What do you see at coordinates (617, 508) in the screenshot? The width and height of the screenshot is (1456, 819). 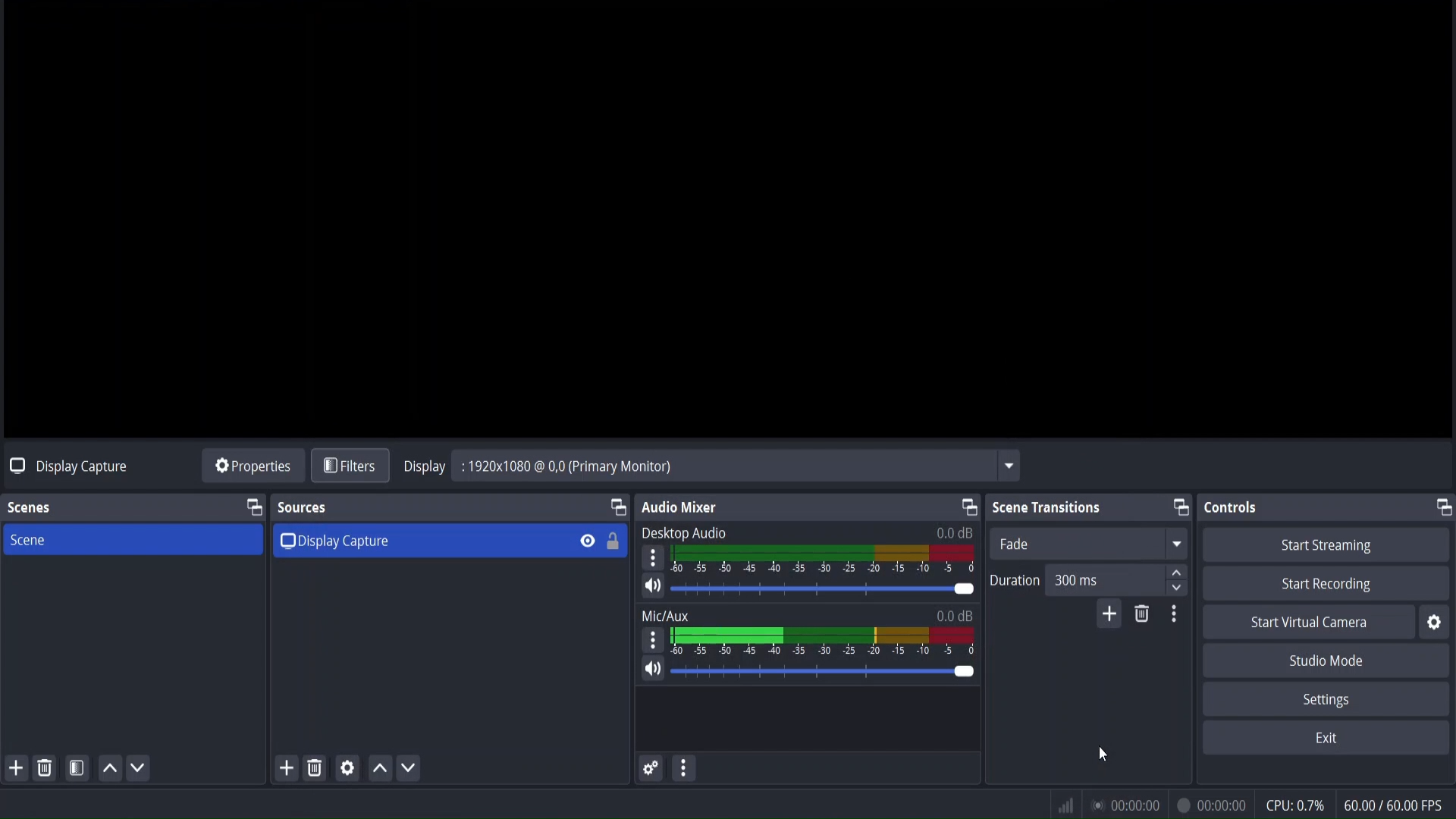 I see `change tab layout` at bounding box center [617, 508].